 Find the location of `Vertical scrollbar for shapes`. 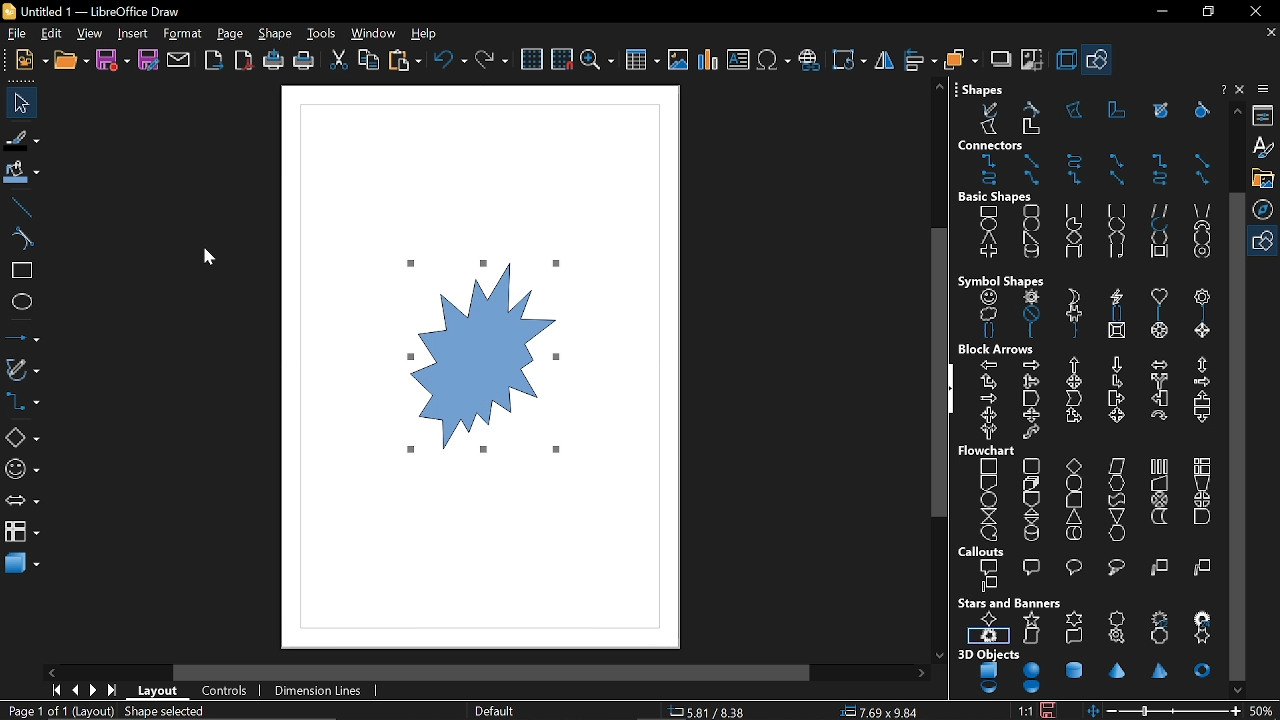

Vertical scrollbar for shapes is located at coordinates (1239, 436).